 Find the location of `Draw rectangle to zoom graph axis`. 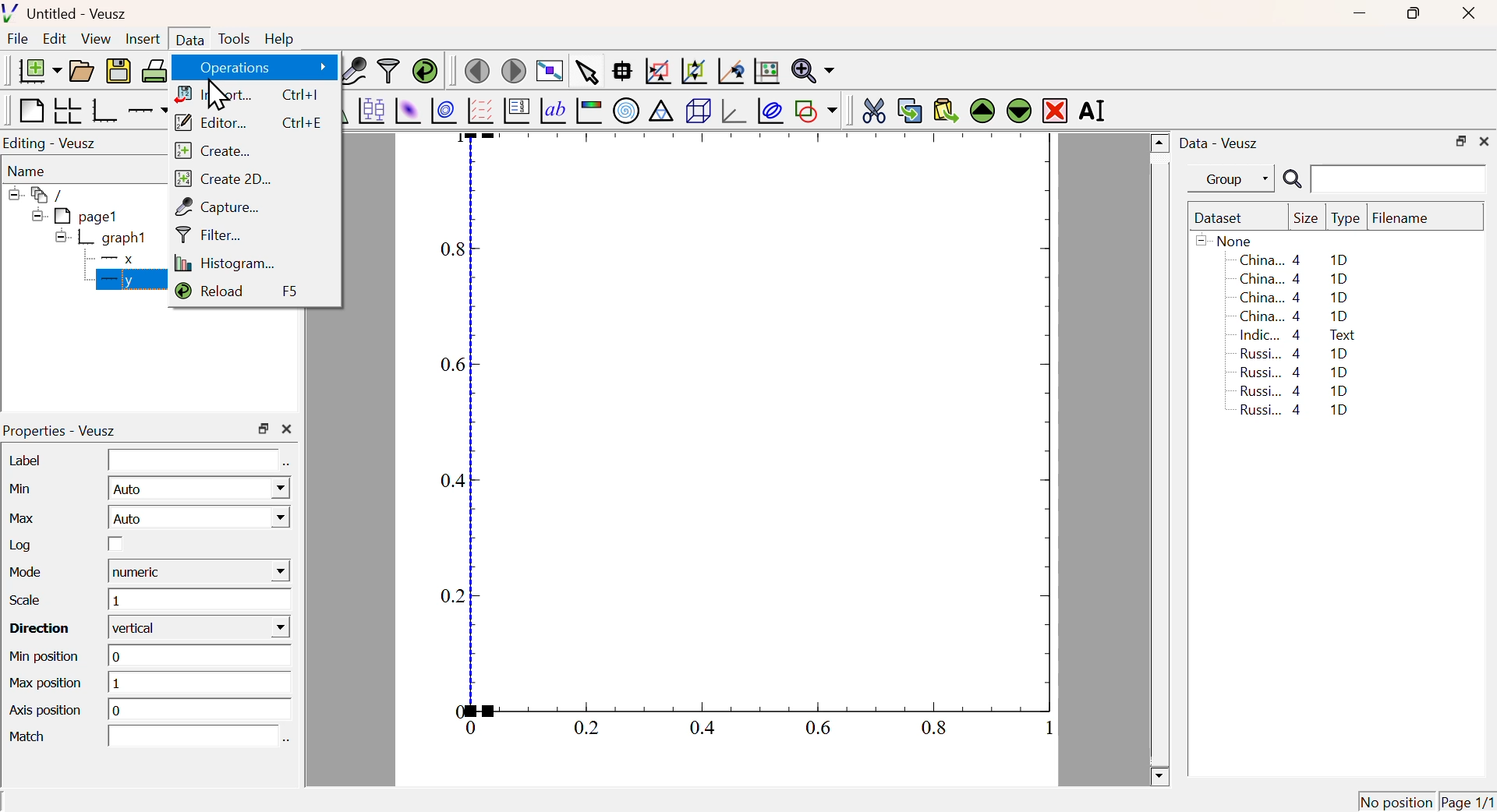

Draw rectangle to zoom graph axis is located at coordinates (656, 71).